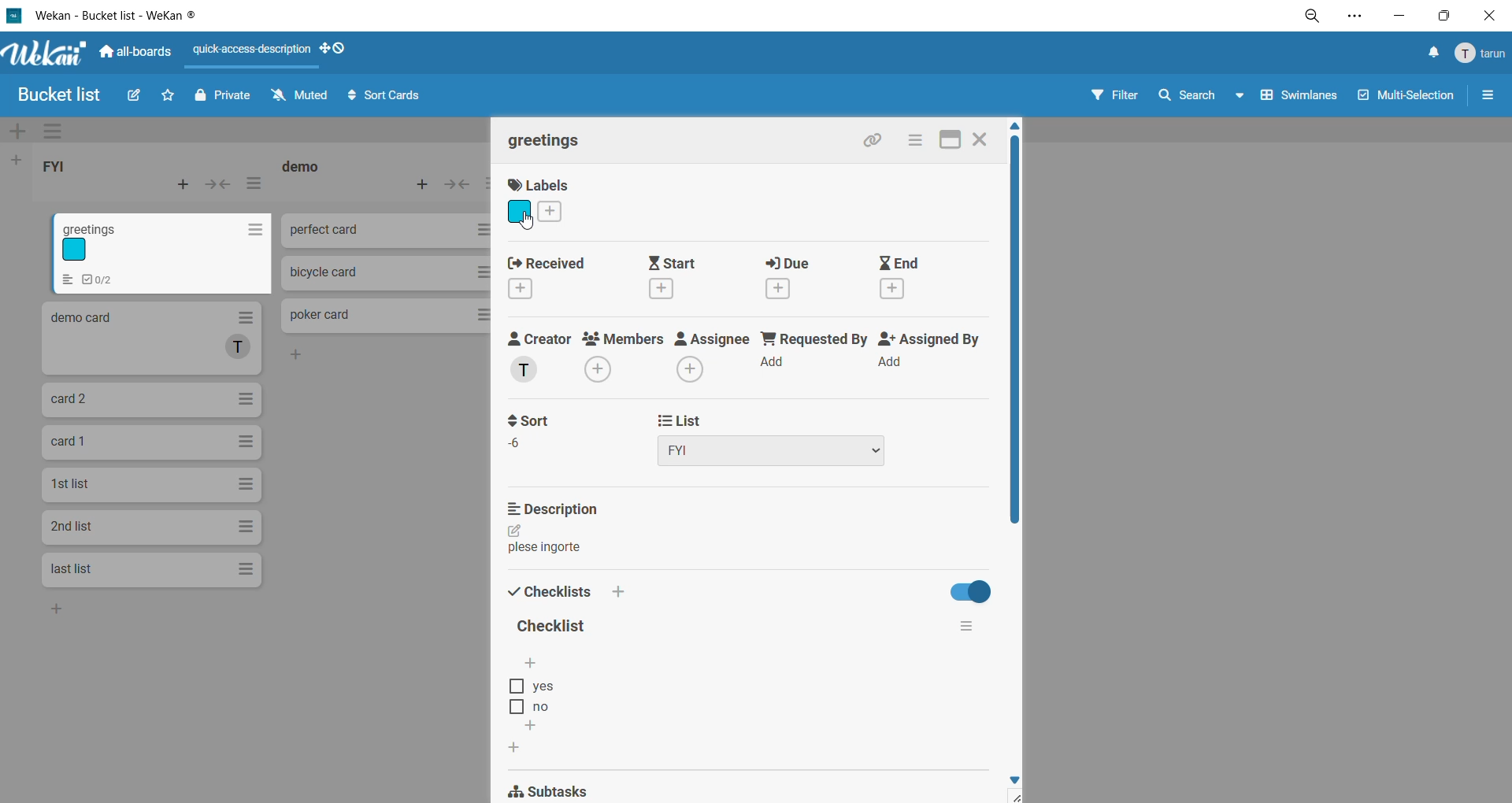  I want to click on 1st list, so click(150, 484).